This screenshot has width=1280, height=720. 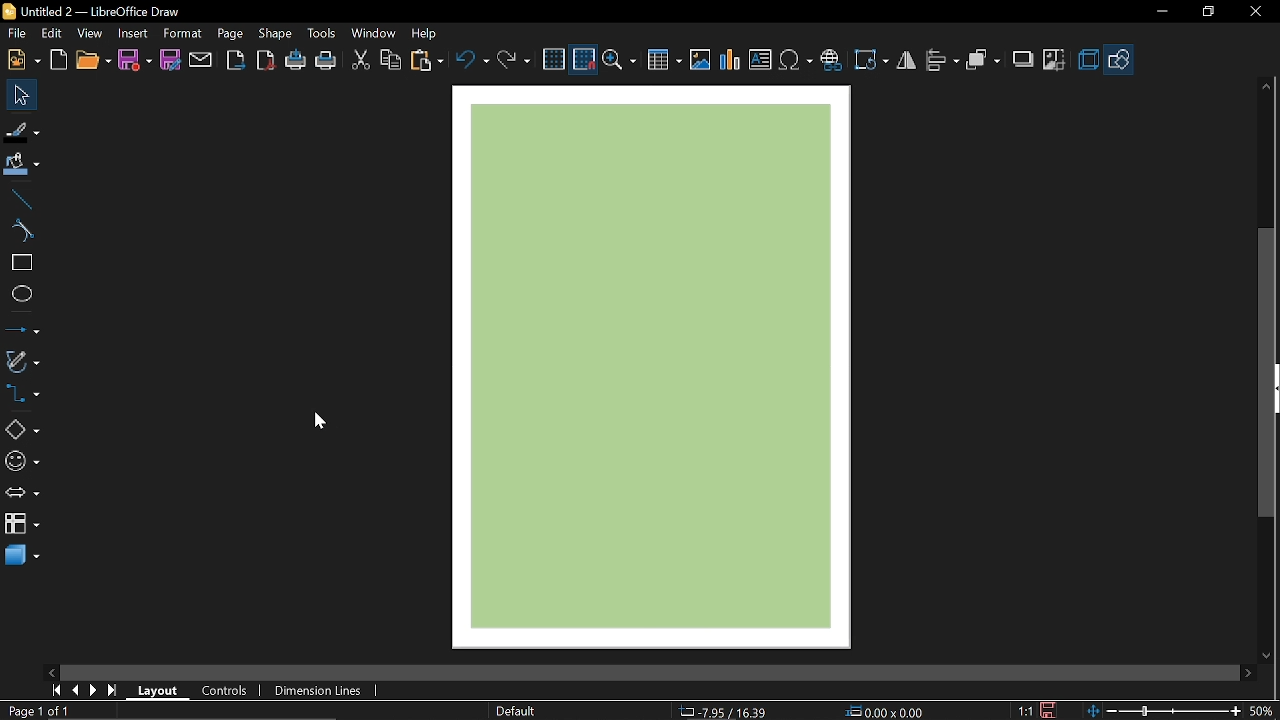 What do you see at coordinates (38, 711) in the screenshot?
I see `Current page` at bounding box center [38, 711].